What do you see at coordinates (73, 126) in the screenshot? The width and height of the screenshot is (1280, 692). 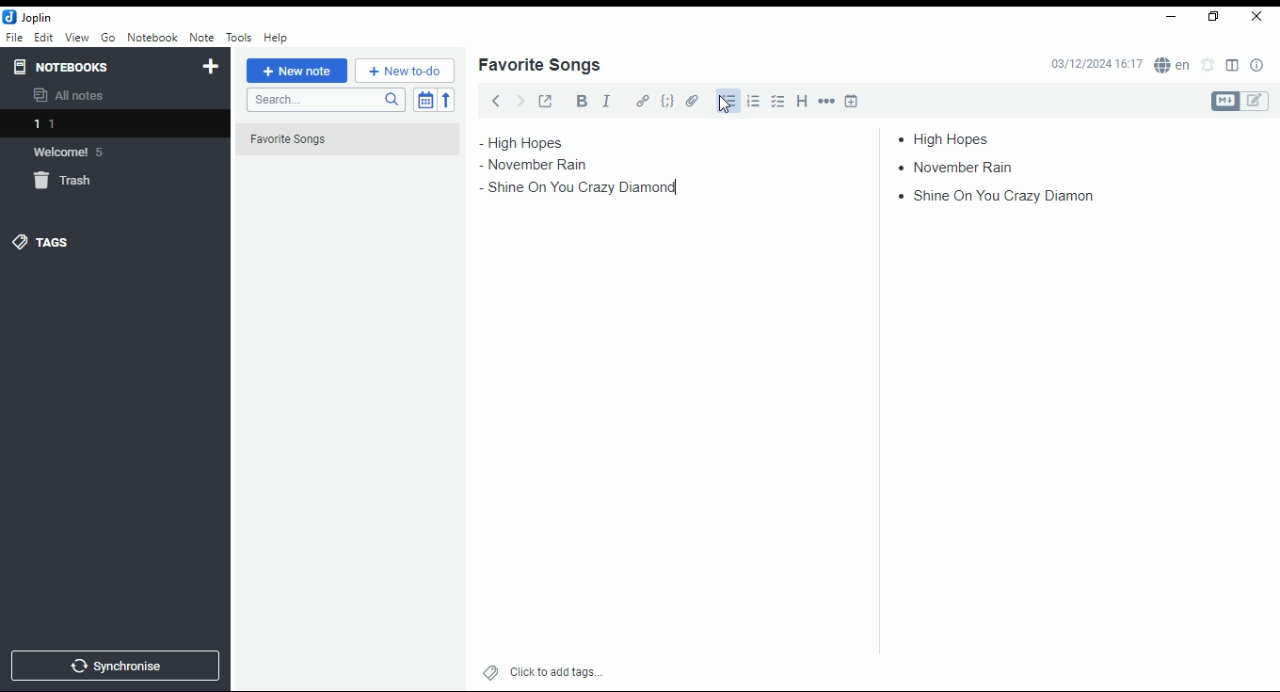 I see `notebook 1` at bounding box center [73, 126].